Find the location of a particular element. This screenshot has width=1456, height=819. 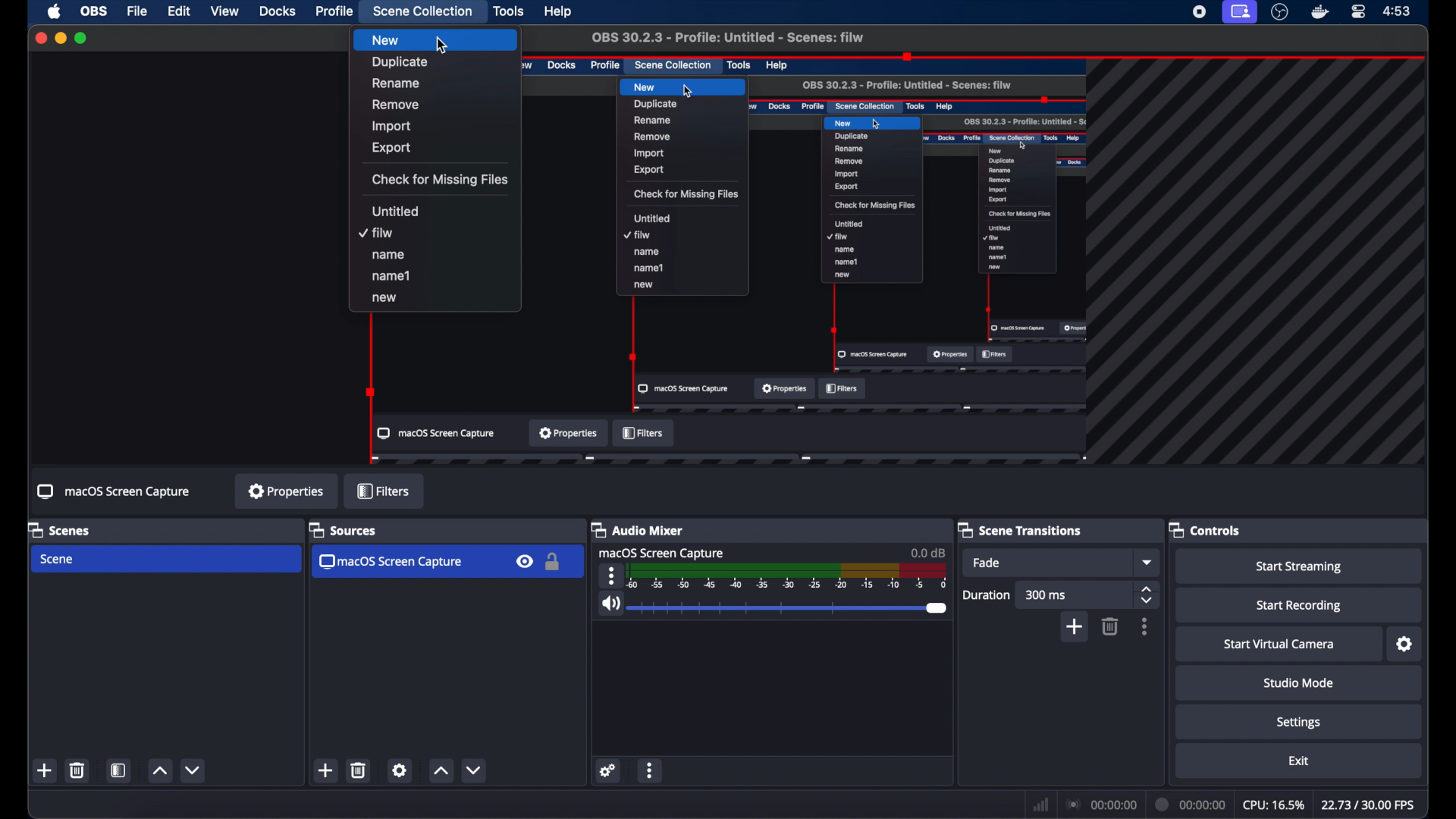

duration is located at coordinates (987, 594).